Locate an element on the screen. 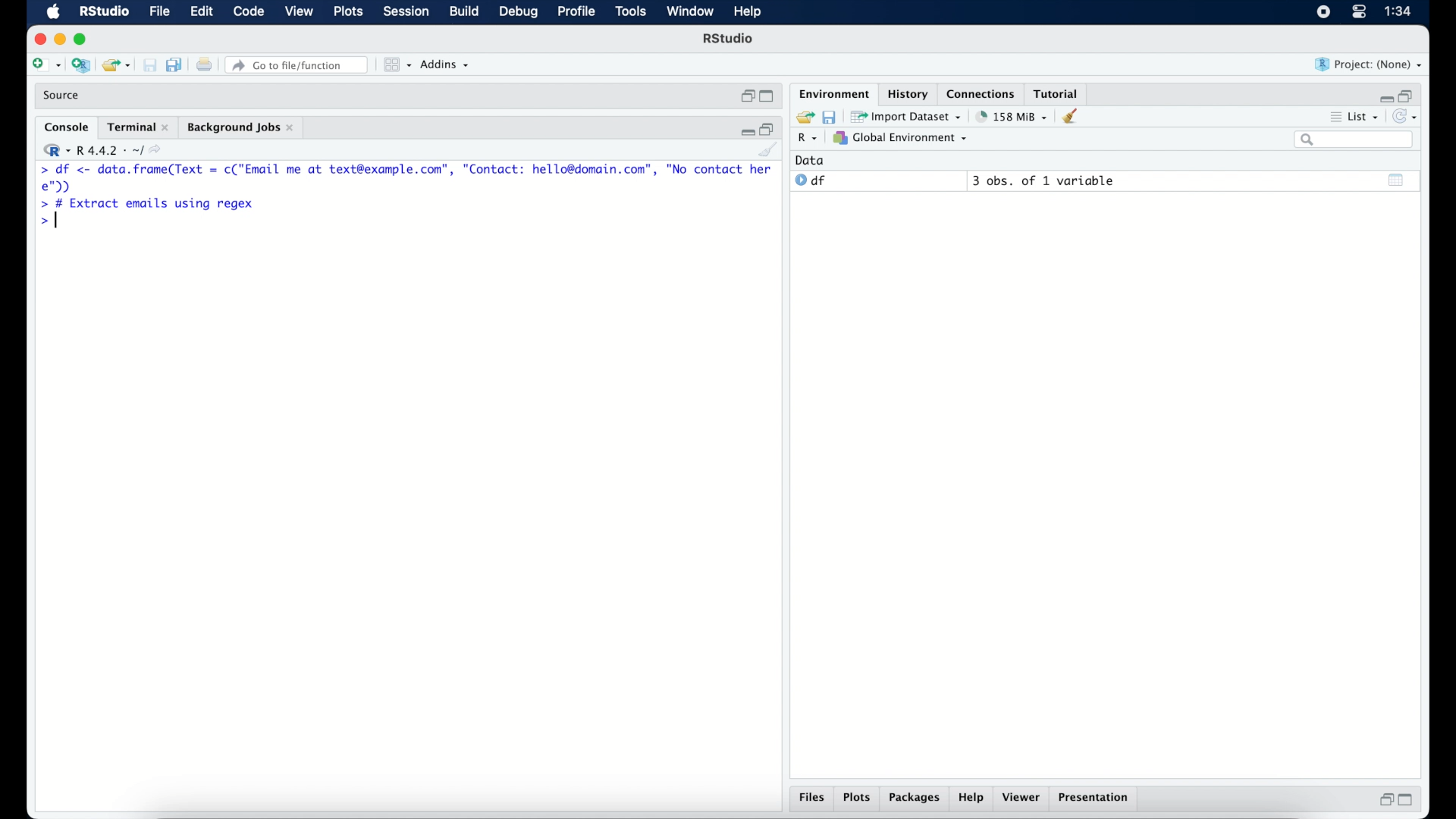  restore down is located at coordinates (745, 96).